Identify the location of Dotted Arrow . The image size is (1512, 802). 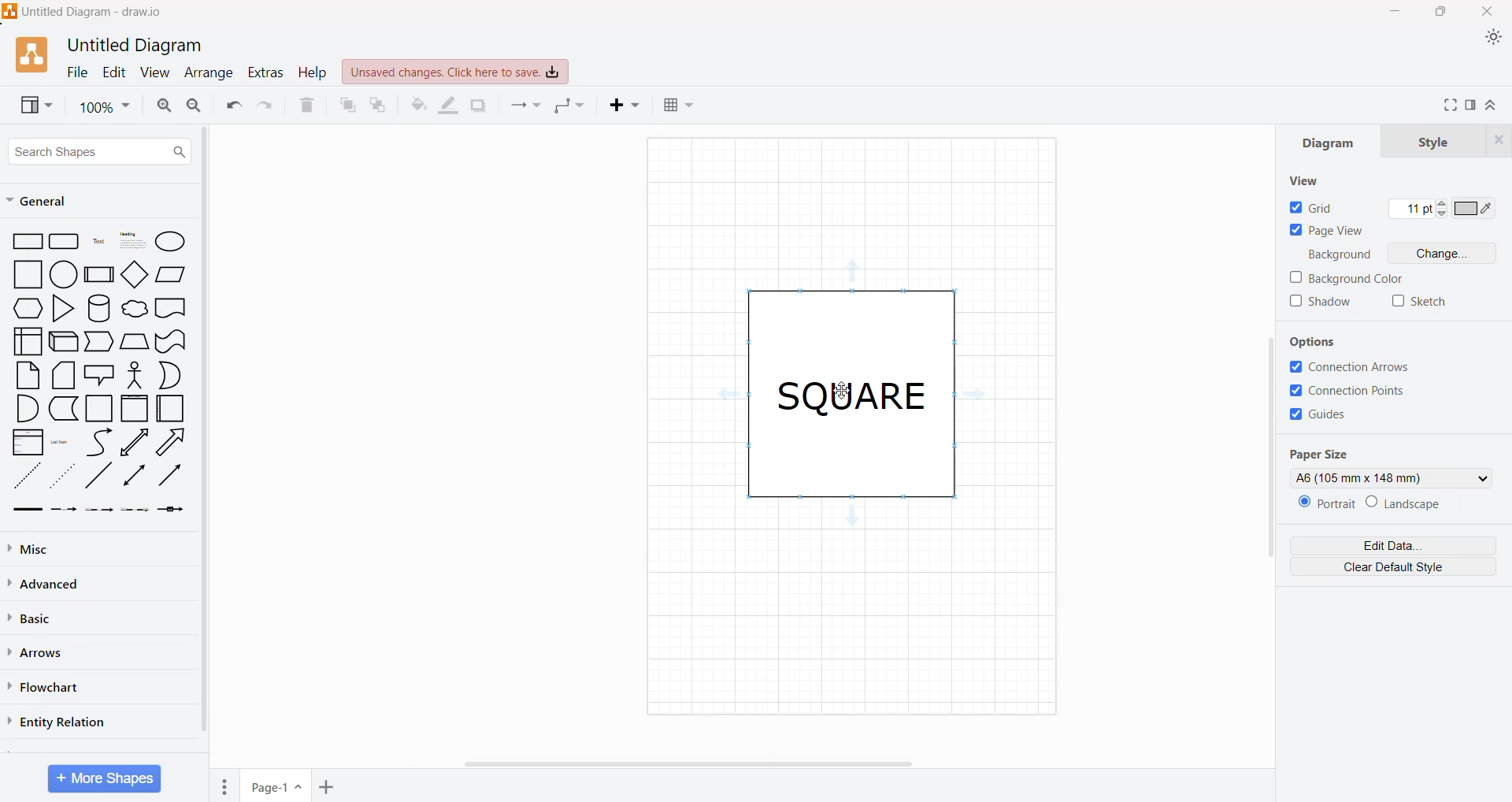
(62, 477).